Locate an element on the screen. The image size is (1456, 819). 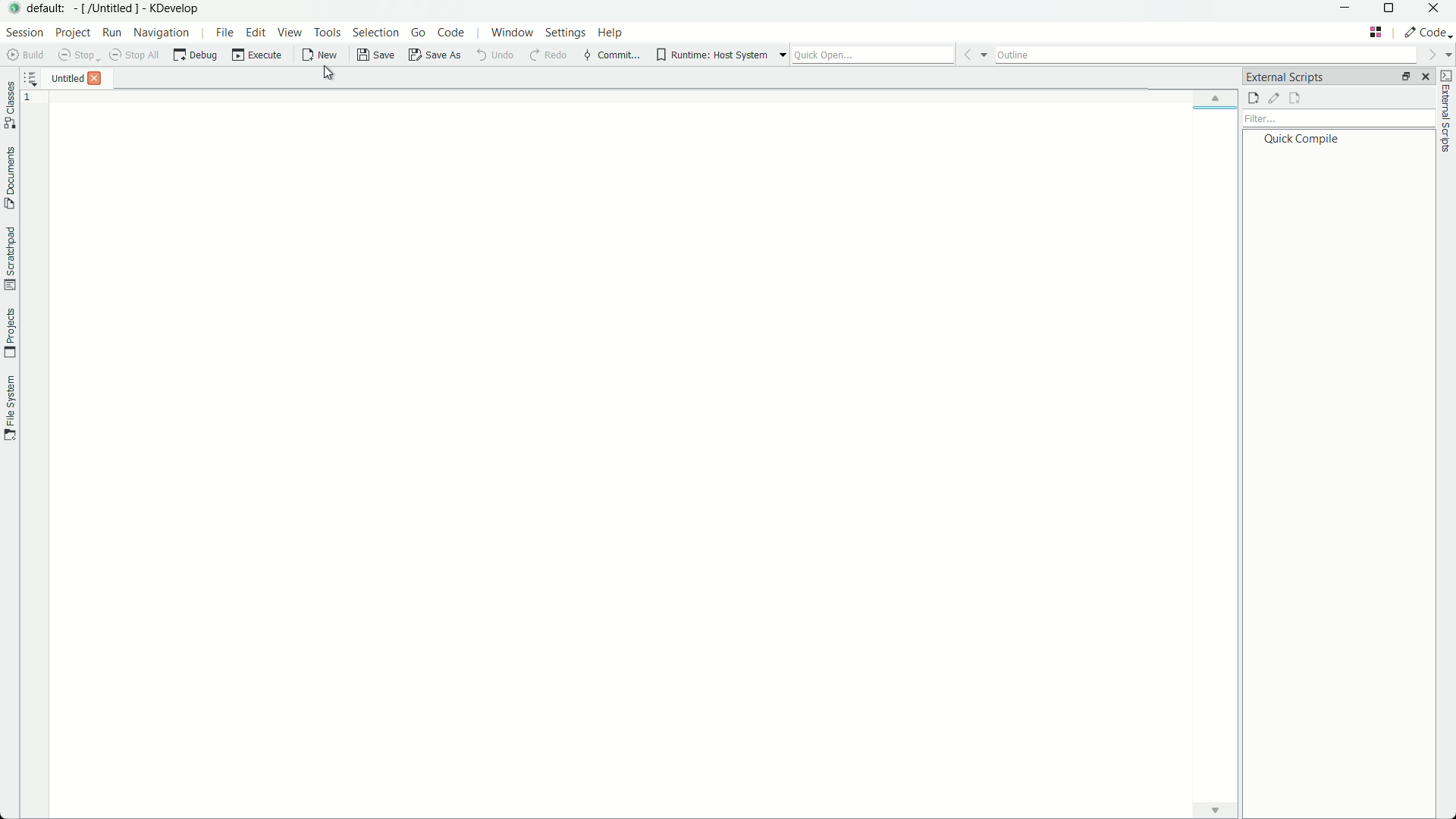
window menu is located at coordinates (512, 33).